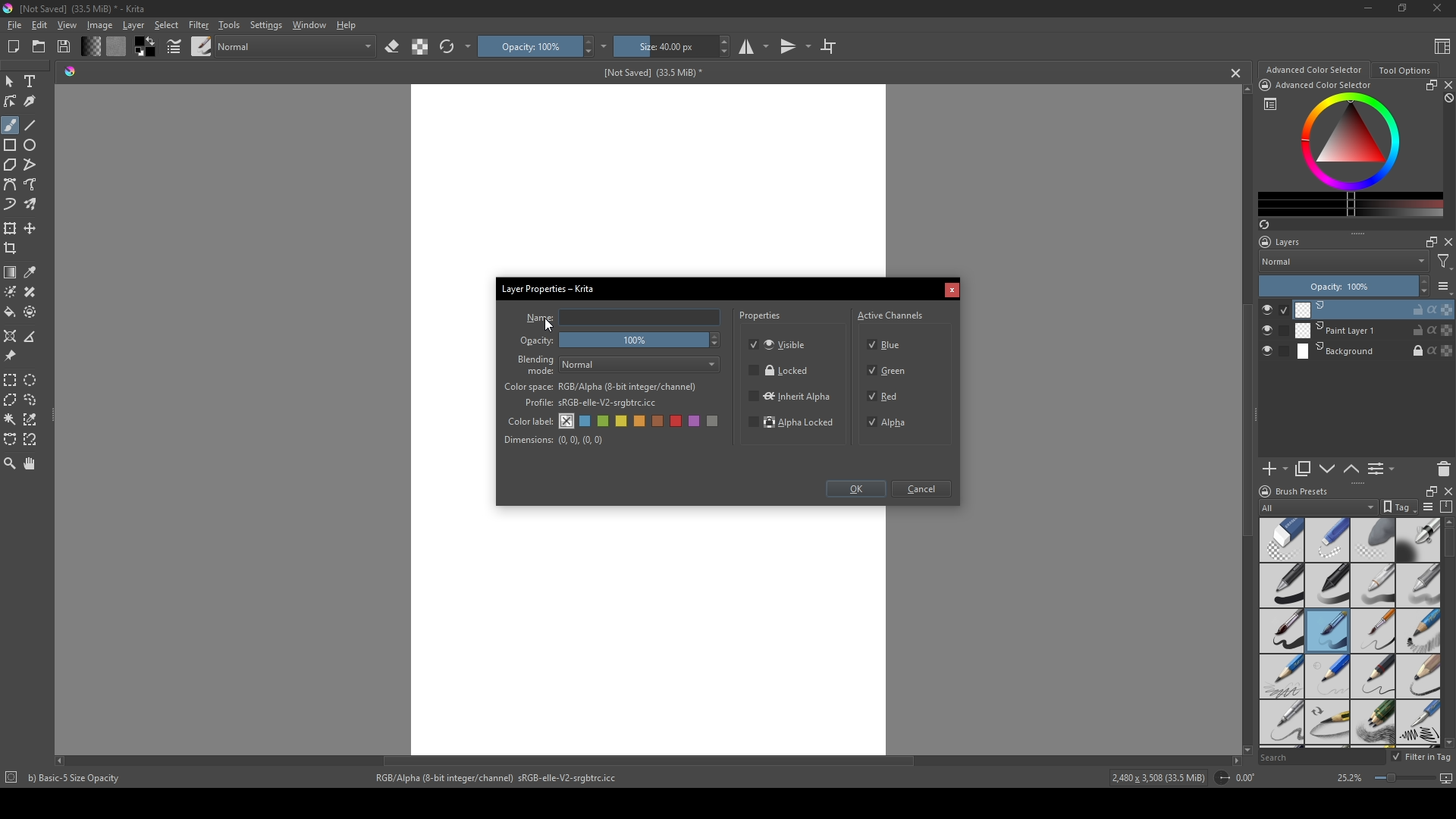 Image resolution: width=1456 pixels, height=819 pixels. I want to click on transitions, so click(795, 47).